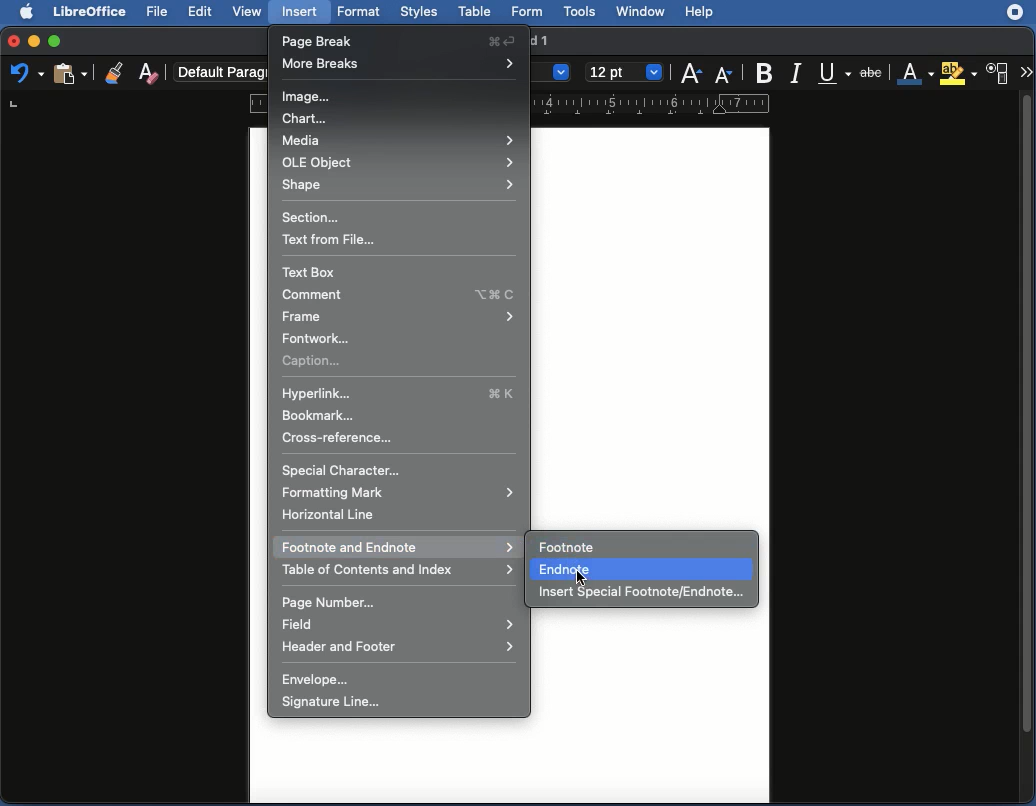  What do you see at coordinates (527, 13) in the screenshot?
I see `form` at bounding box center [527, 13].